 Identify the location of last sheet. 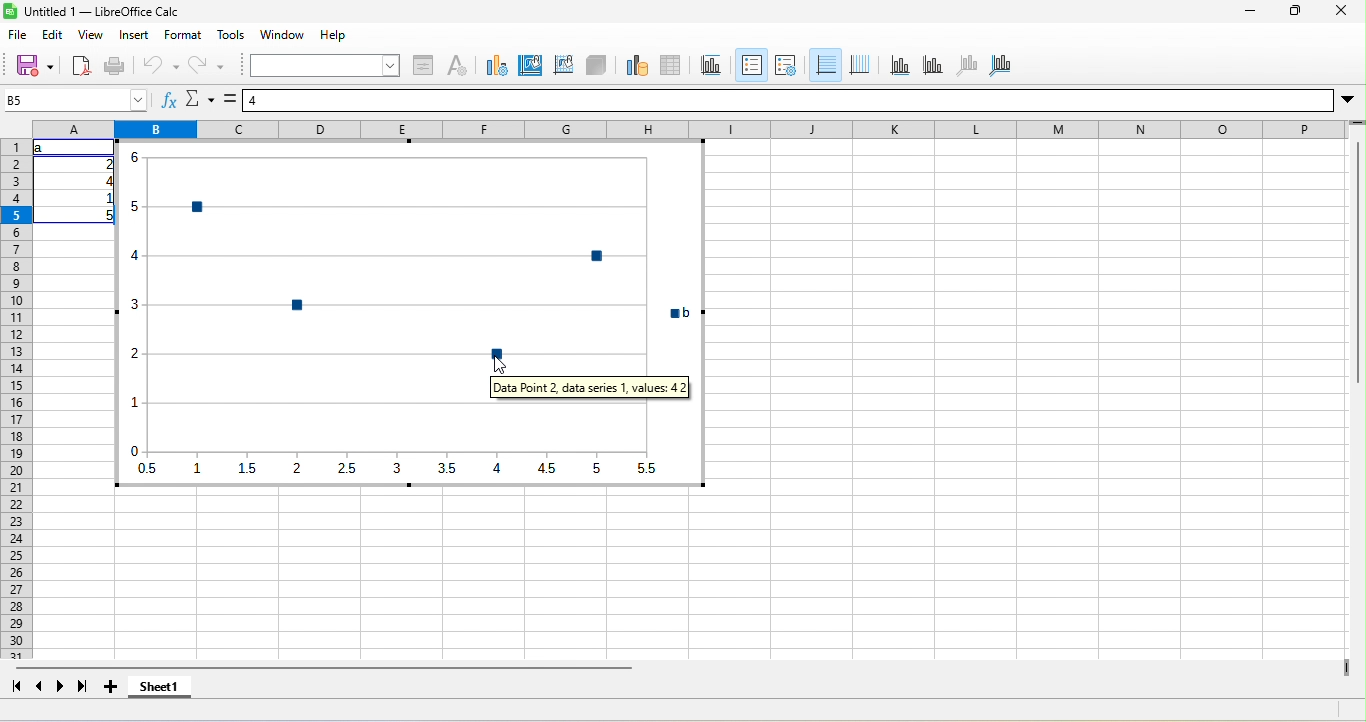
(83, 686).